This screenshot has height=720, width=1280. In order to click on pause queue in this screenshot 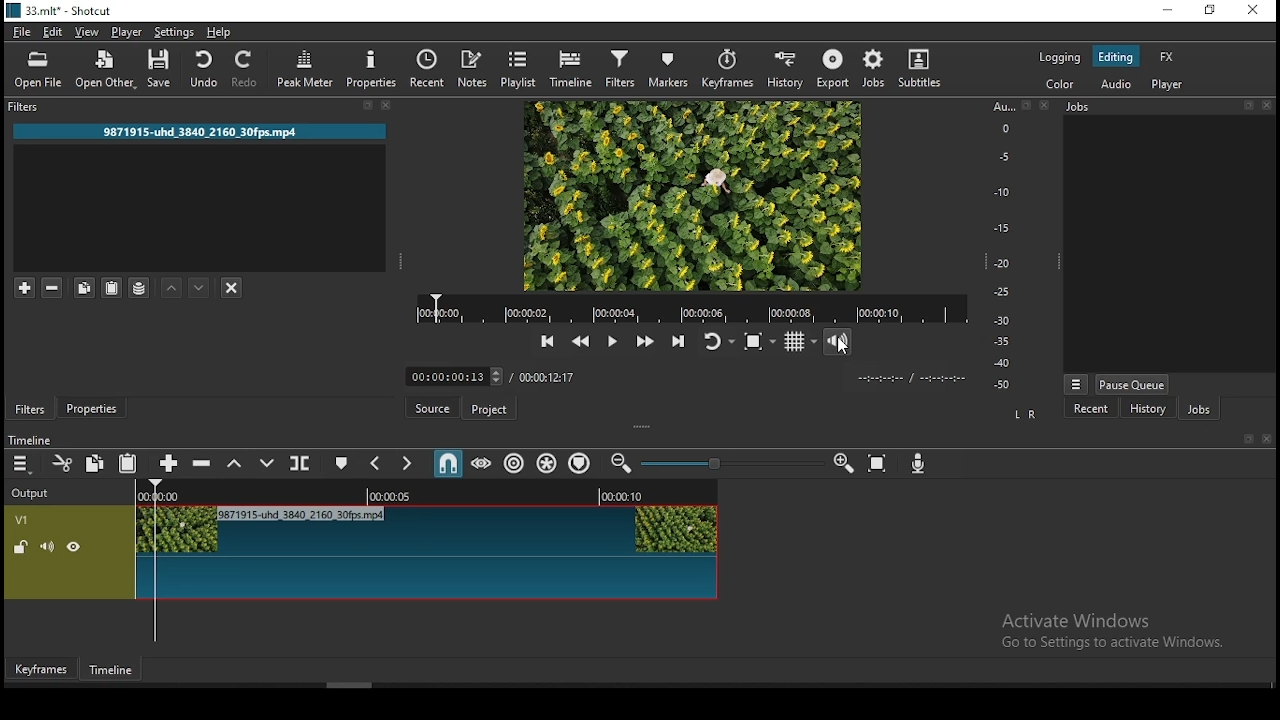, I will do `click(1134, 384)`.